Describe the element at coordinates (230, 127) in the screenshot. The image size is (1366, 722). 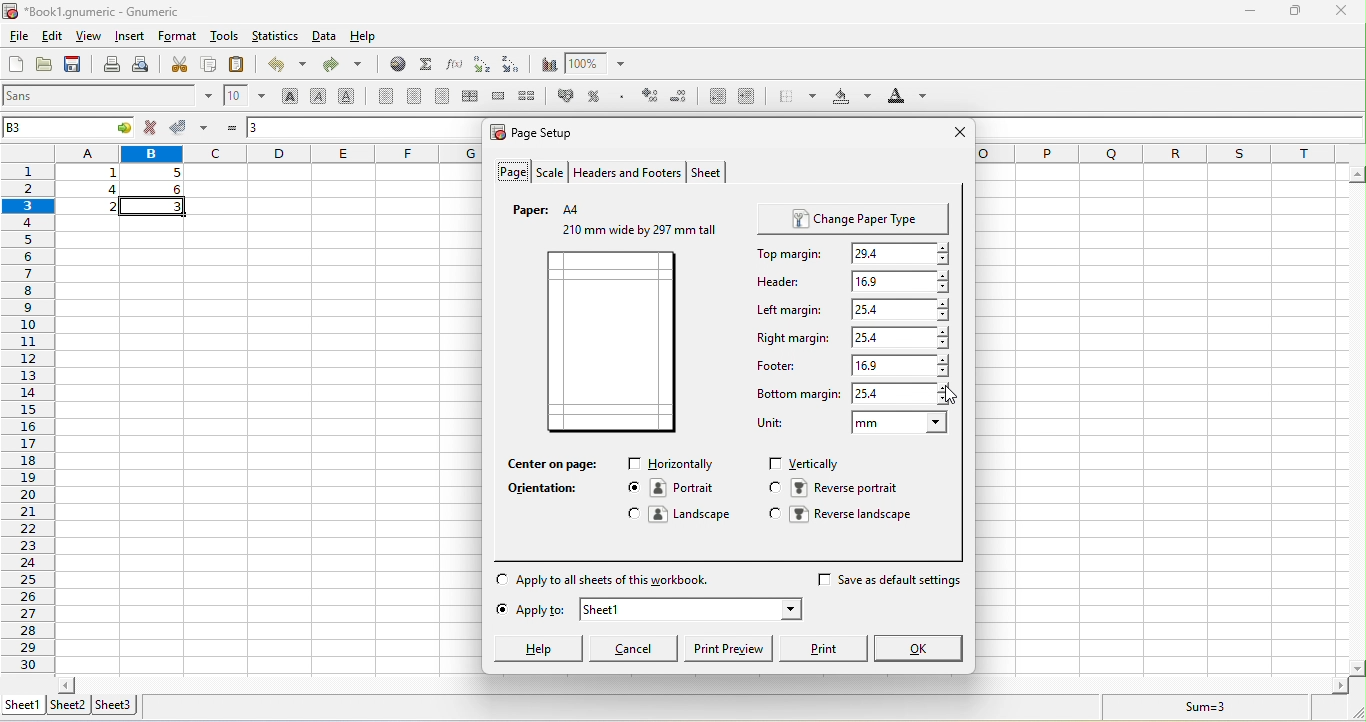
I see `formula` at that location.